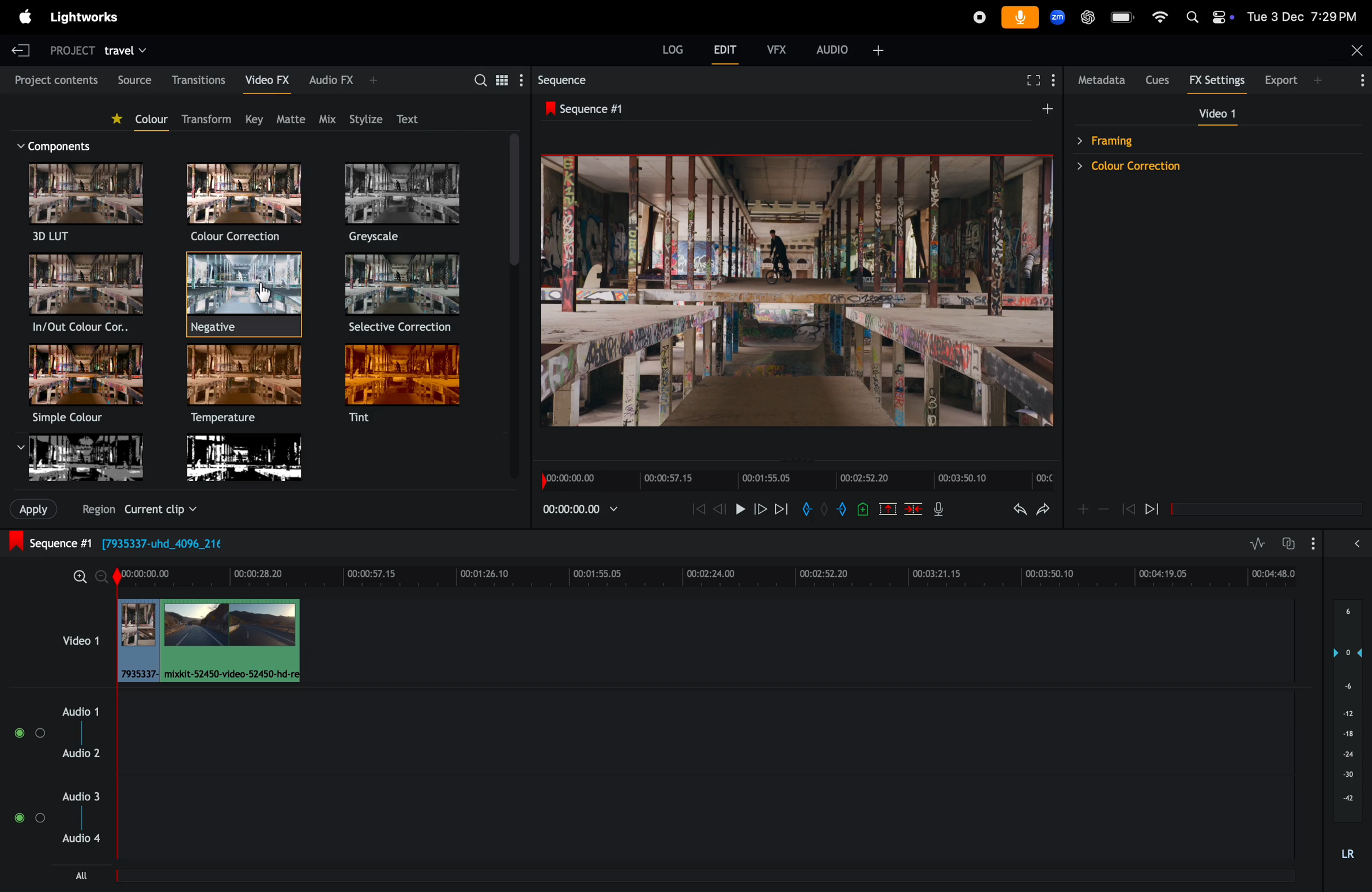 The image size is (1372, 892). Describe the element at coordinates (1128, 508) in the screenshot. I see `previous` at that location.